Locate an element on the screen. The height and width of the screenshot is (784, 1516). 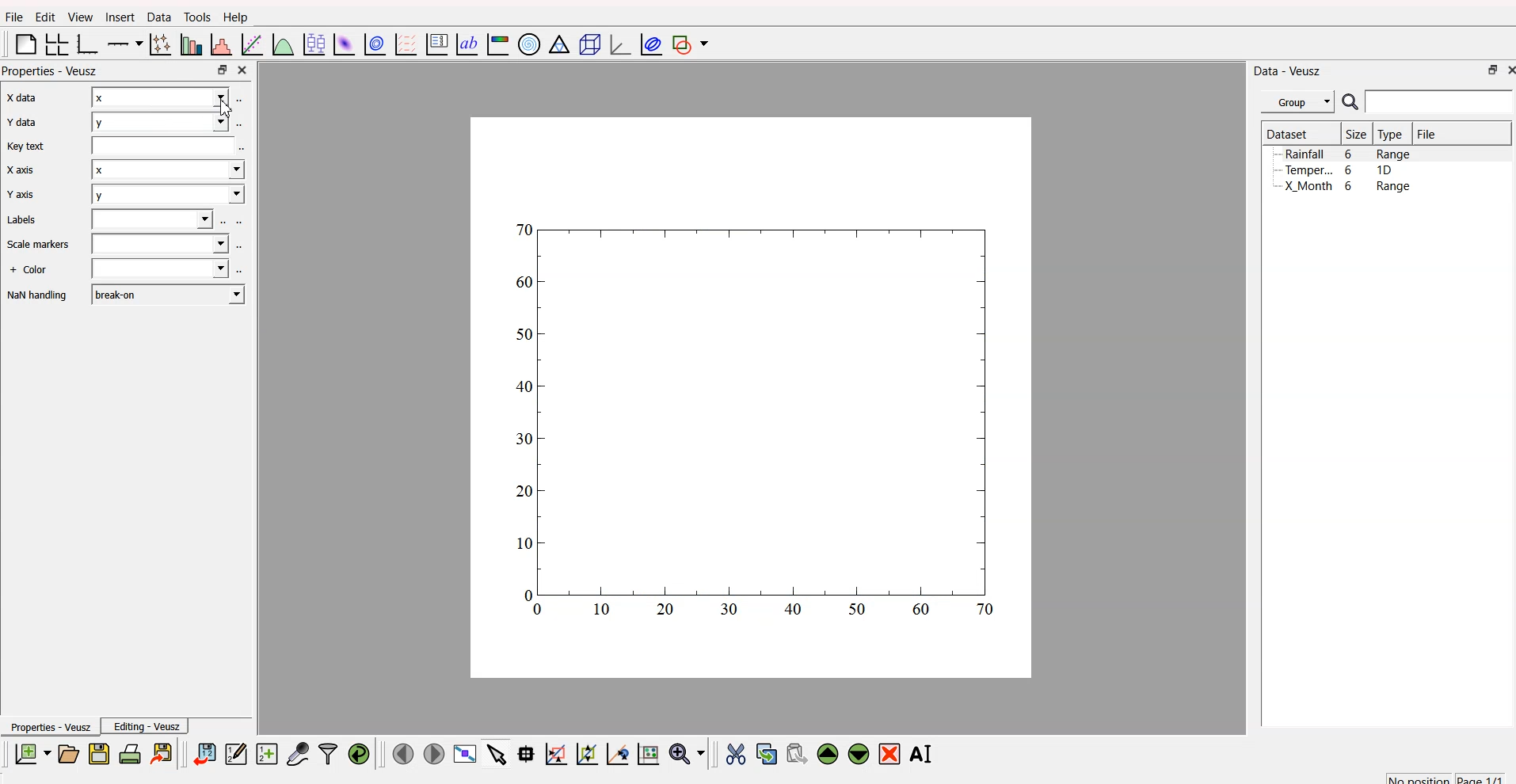
no position page 1/1 is located at coordinates (1445, 775).